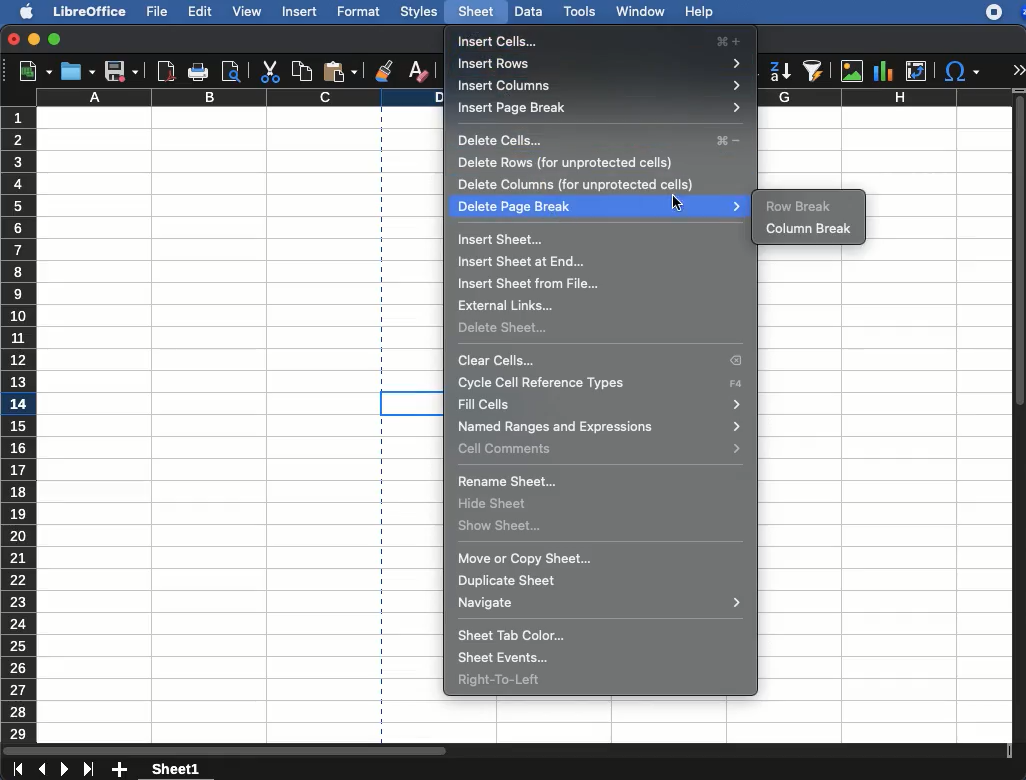 Image resolution: width=1026 pixels, height=780 pixels. Describe the element at coordinates (230, 71) in the screenshot. I see `print preview` at that location.